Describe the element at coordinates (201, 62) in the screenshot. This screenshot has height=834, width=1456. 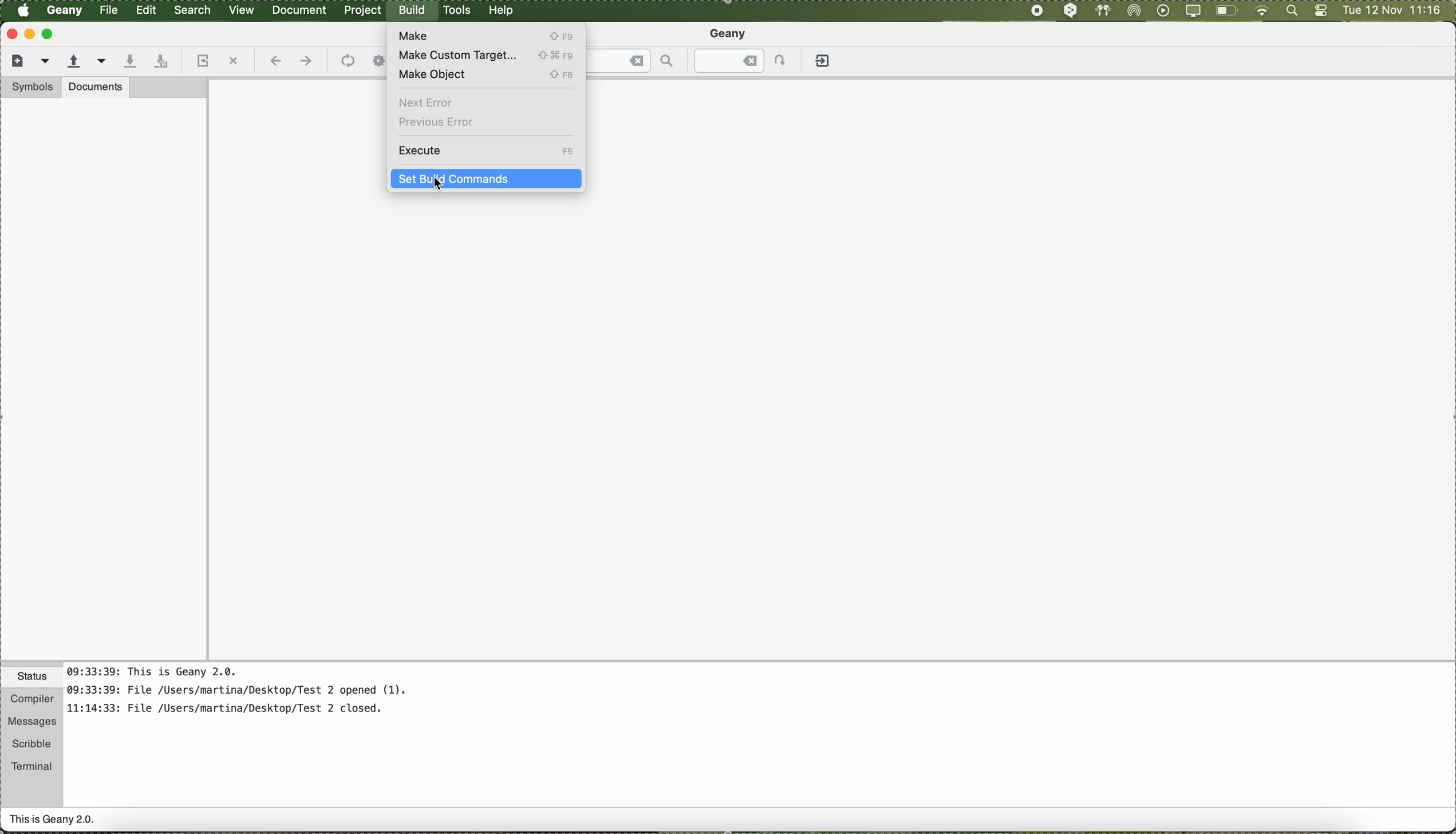
I see `reload the current file from disk` at that location.